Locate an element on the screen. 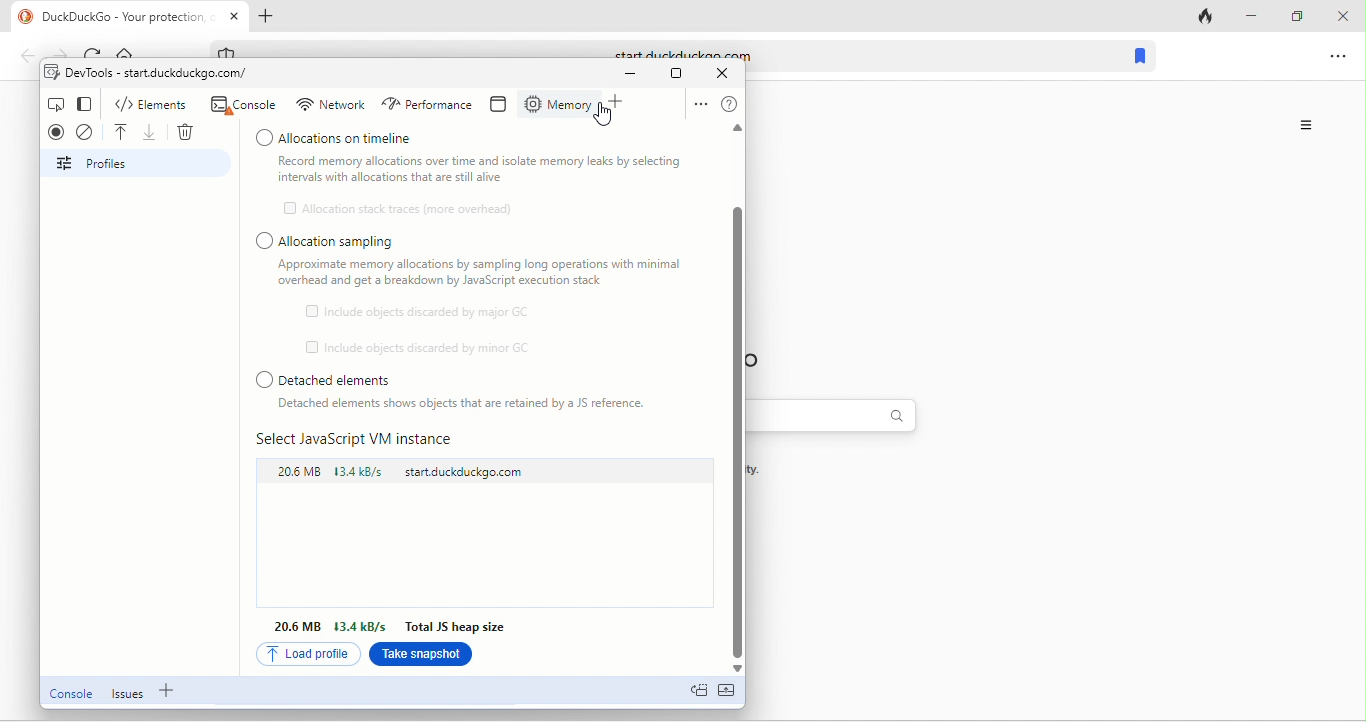 Image resolution: width=1366 pixels, height=722 pixels. detached elements is located at coordinates (456, 377).